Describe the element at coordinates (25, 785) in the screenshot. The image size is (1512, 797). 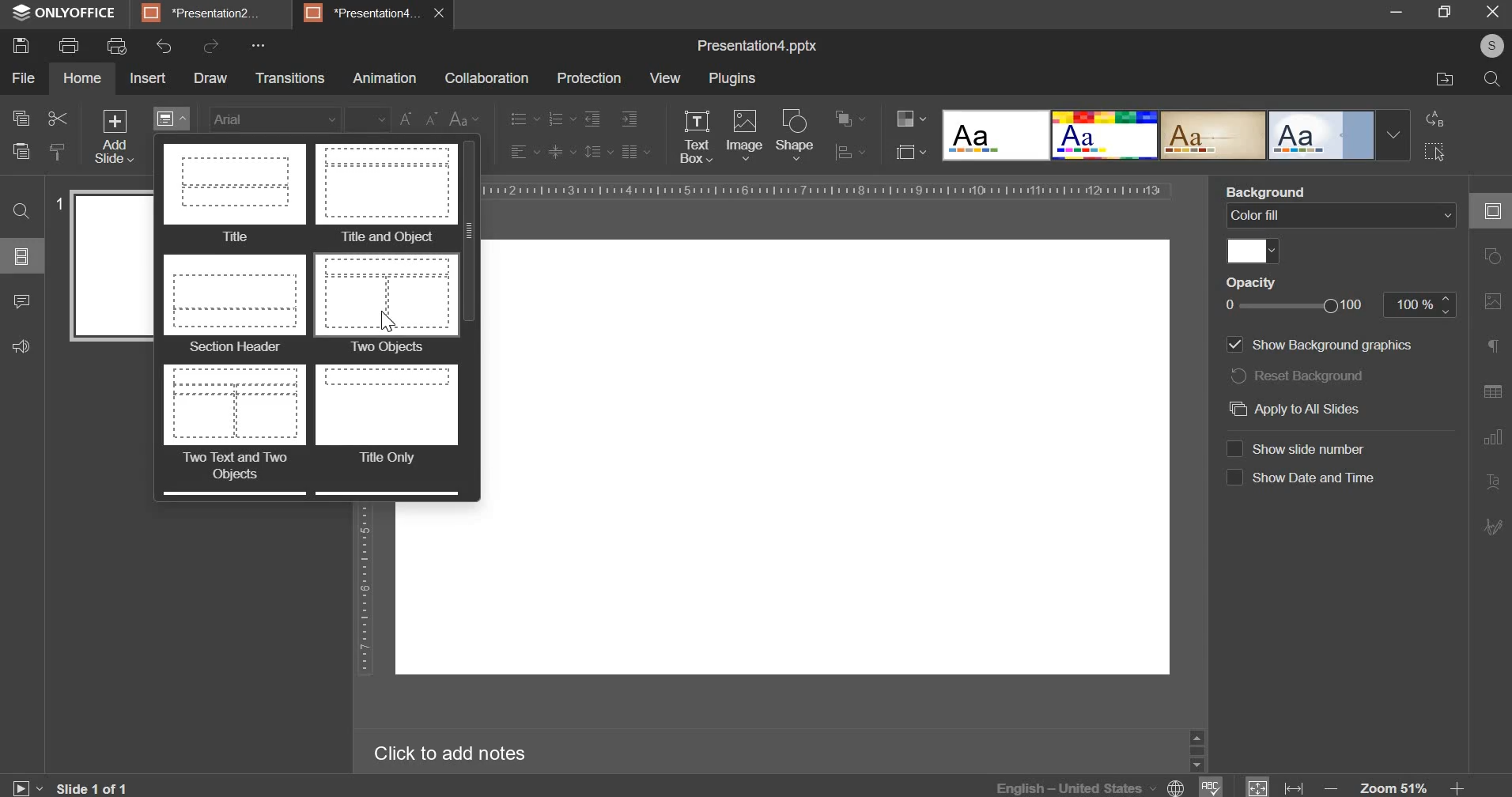
I see `slide show` at that location.